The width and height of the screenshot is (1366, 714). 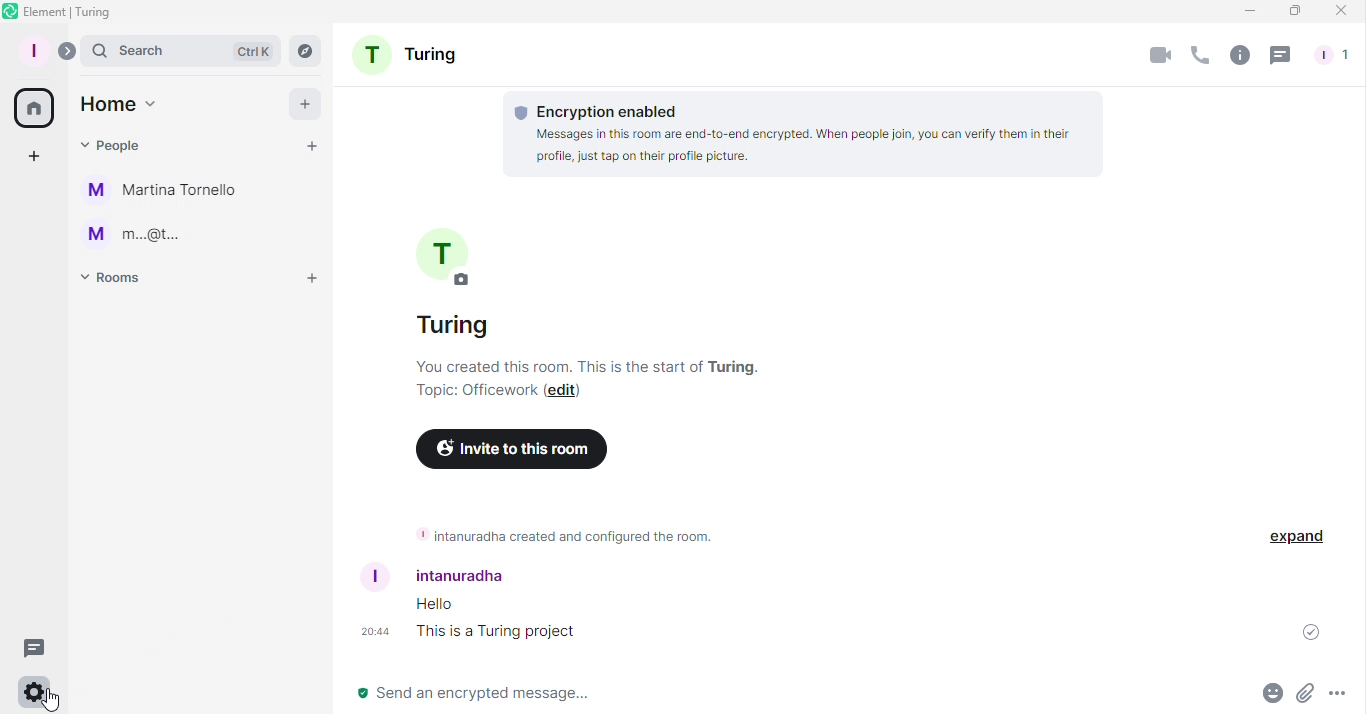 What do you see at coordinates (453, 577) in the screenshot?
I see `Username` at bounding box center [453, 577].